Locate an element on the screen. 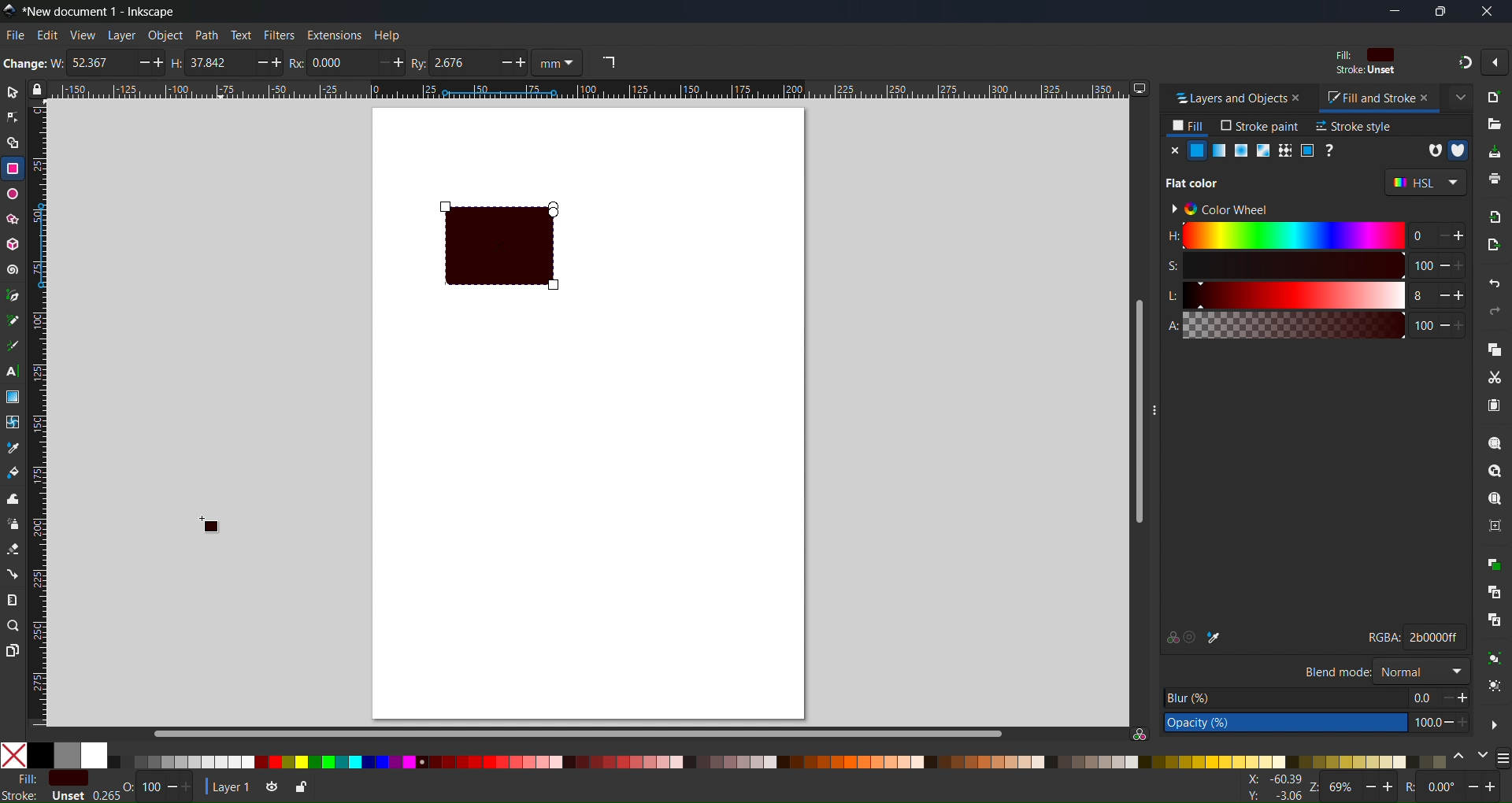 This screenshot has width=1512, height=803. Path is located at coordinates (206, 35).